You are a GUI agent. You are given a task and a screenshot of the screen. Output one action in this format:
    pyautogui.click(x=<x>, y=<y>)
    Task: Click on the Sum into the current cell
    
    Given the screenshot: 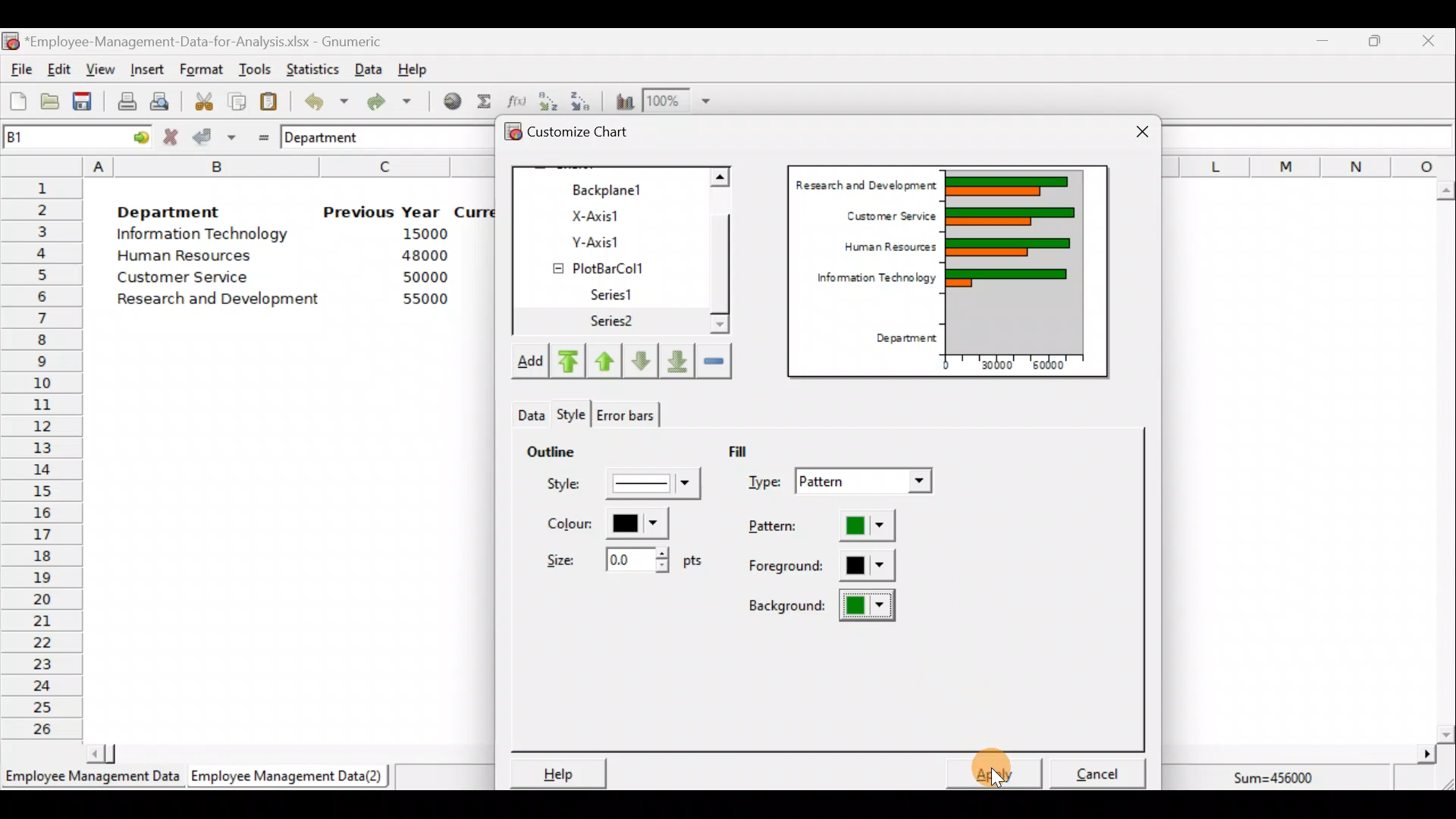 What is the action you would take?
    pyautogui.click(x=482, y=101)
    